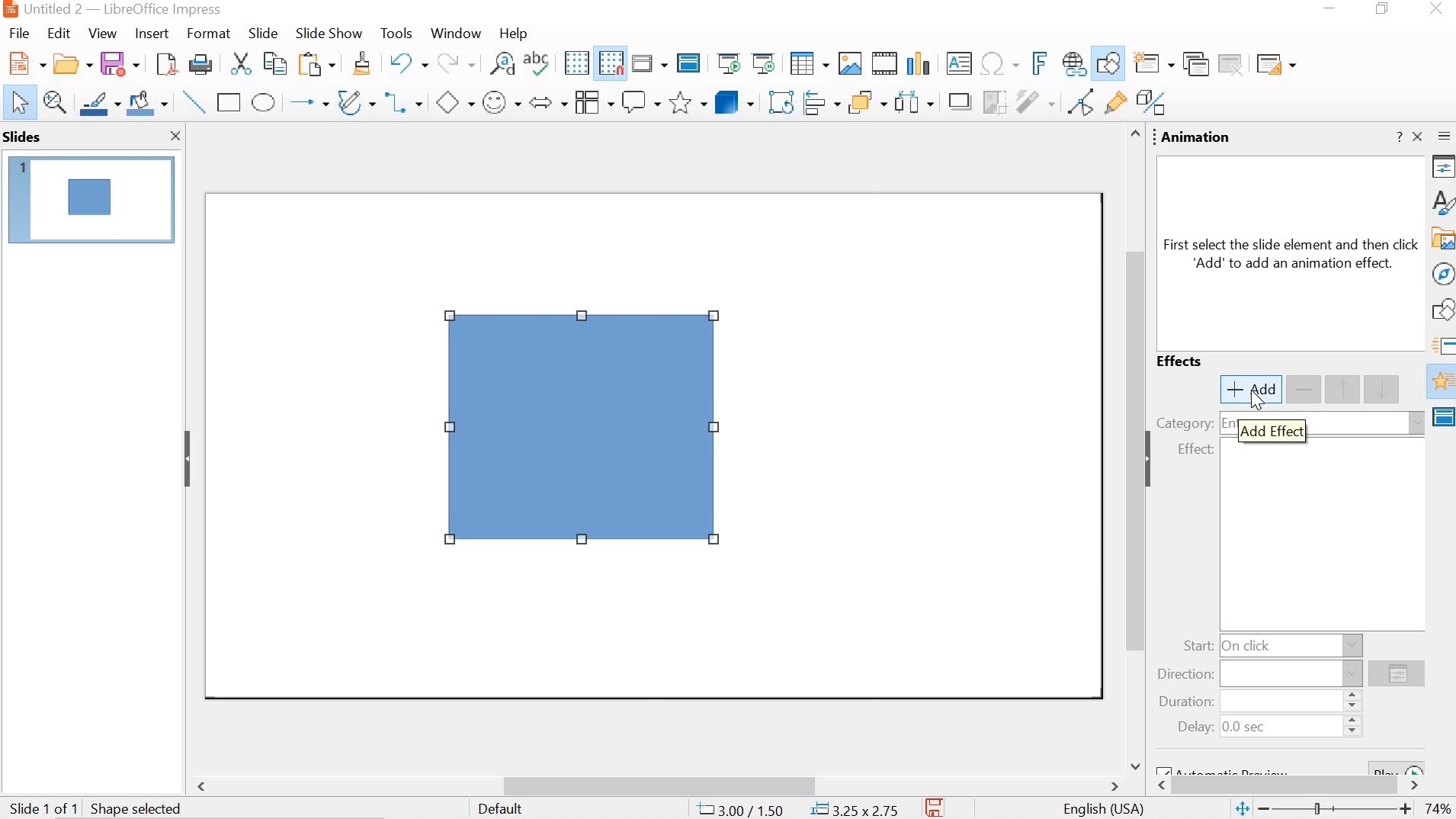  Describe the element at coordinates (685, 104) in the screenshot. I see `stars and banners` at that location.